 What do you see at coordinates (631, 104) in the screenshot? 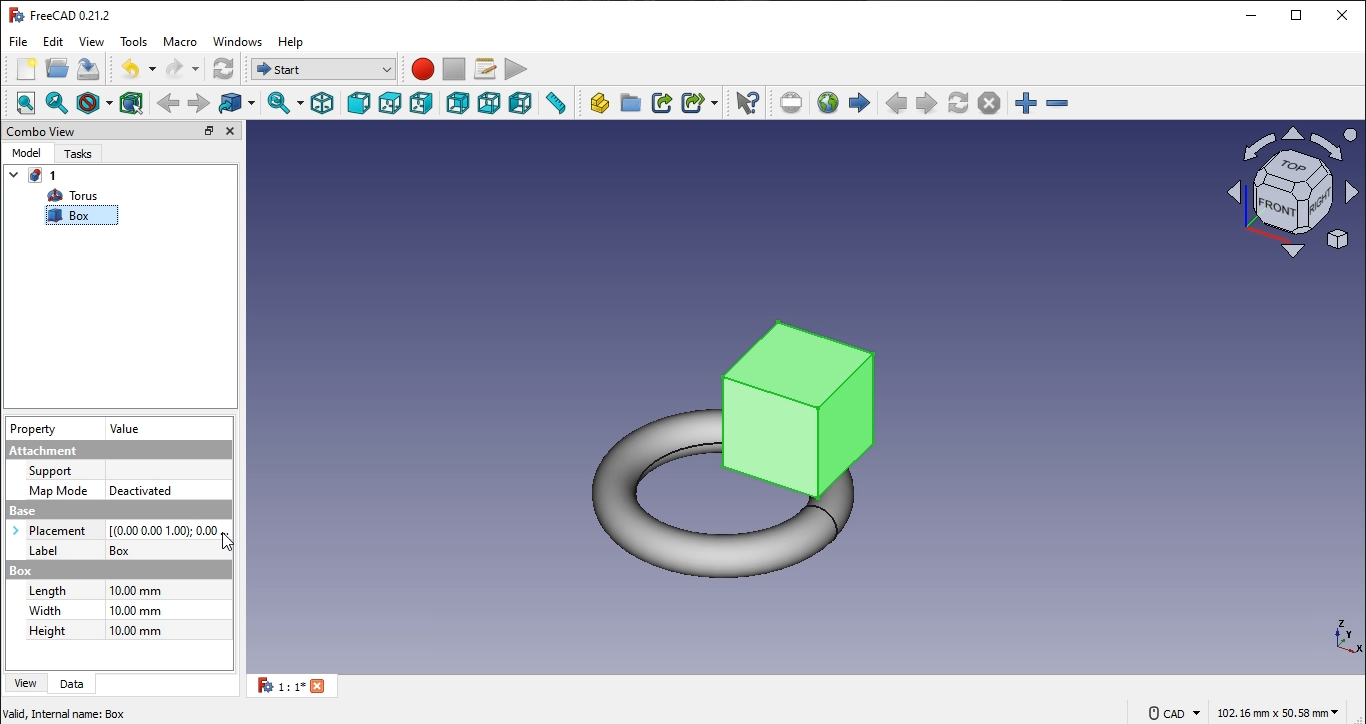
I see `create folder` at bounding box center [631, 104].